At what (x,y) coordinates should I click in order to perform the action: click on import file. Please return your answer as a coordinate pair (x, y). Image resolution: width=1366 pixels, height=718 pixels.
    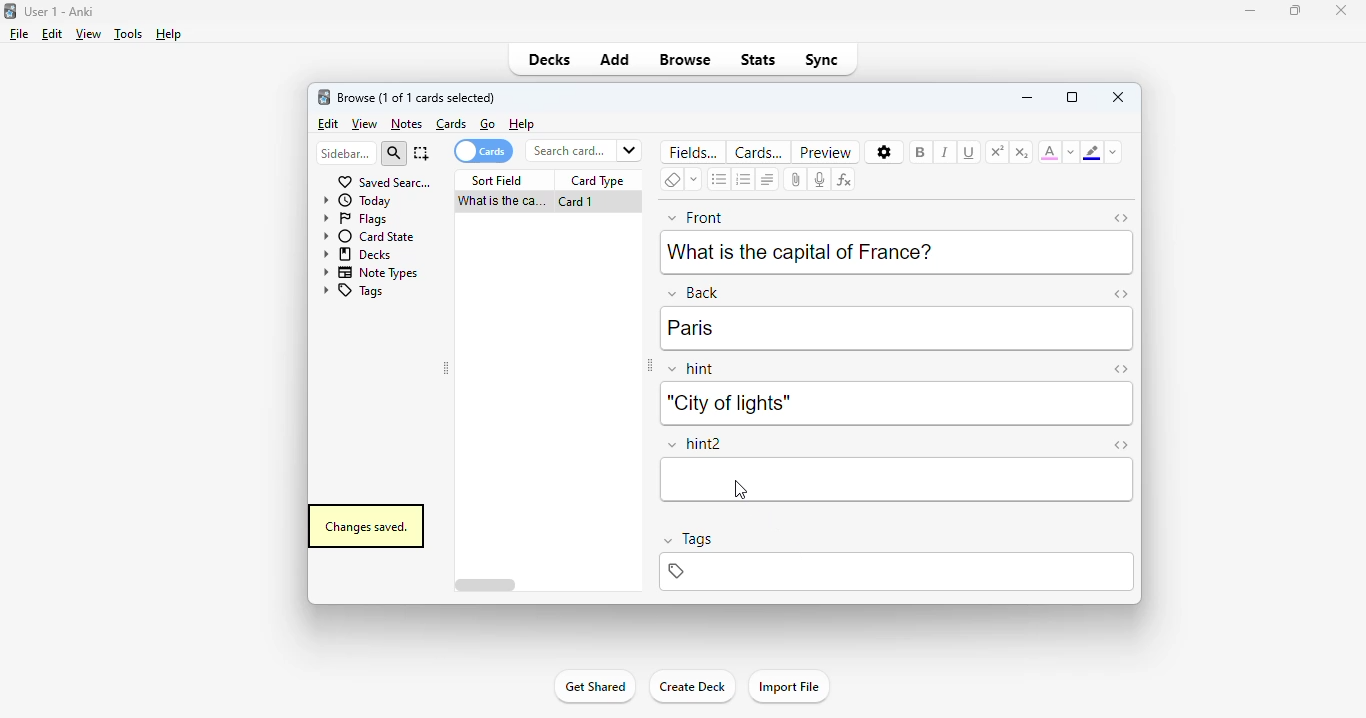
    Looking at the image, I should click on (788, 687).